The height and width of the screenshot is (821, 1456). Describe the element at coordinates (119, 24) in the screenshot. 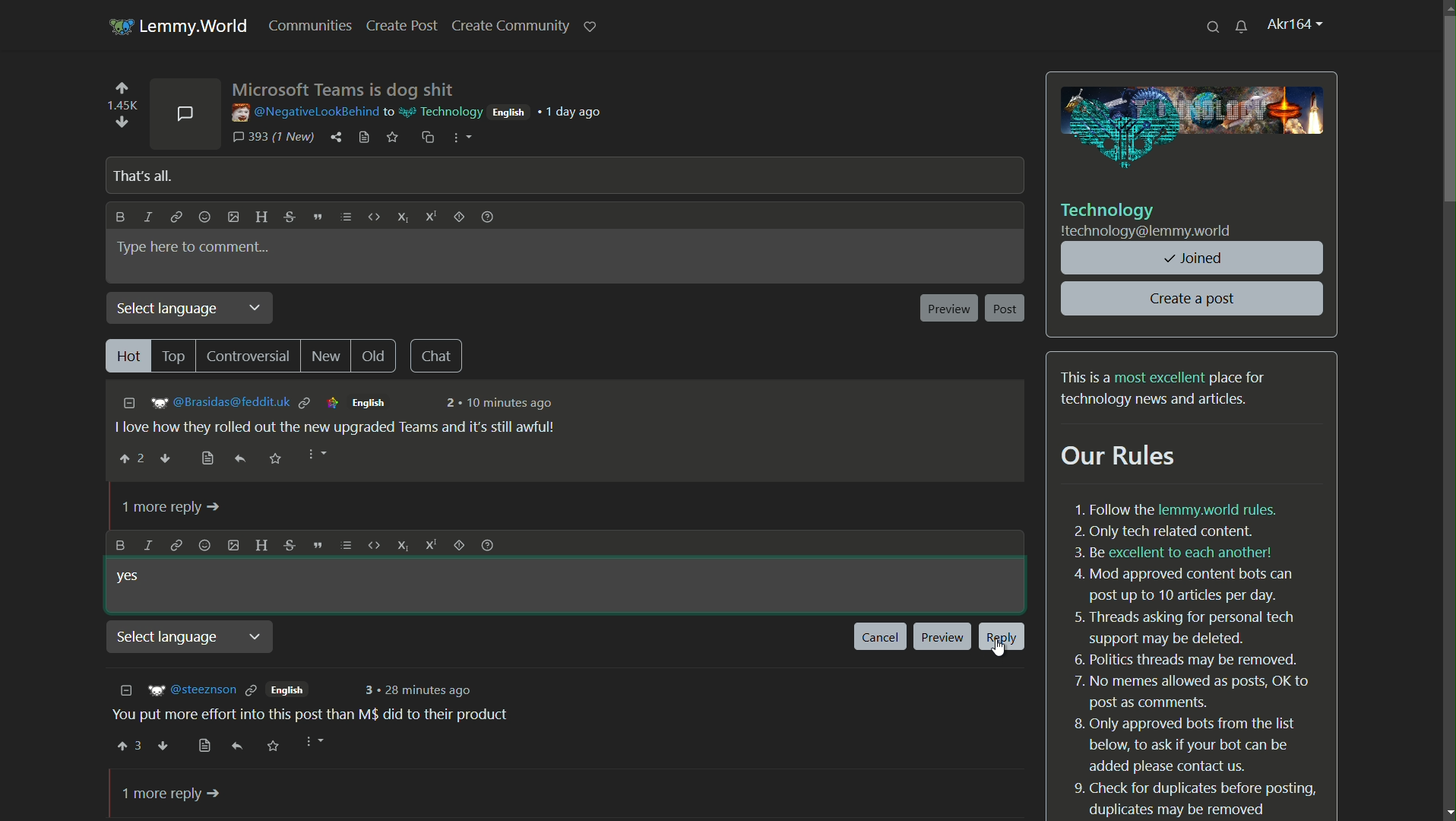

I see `server icon` at that location.